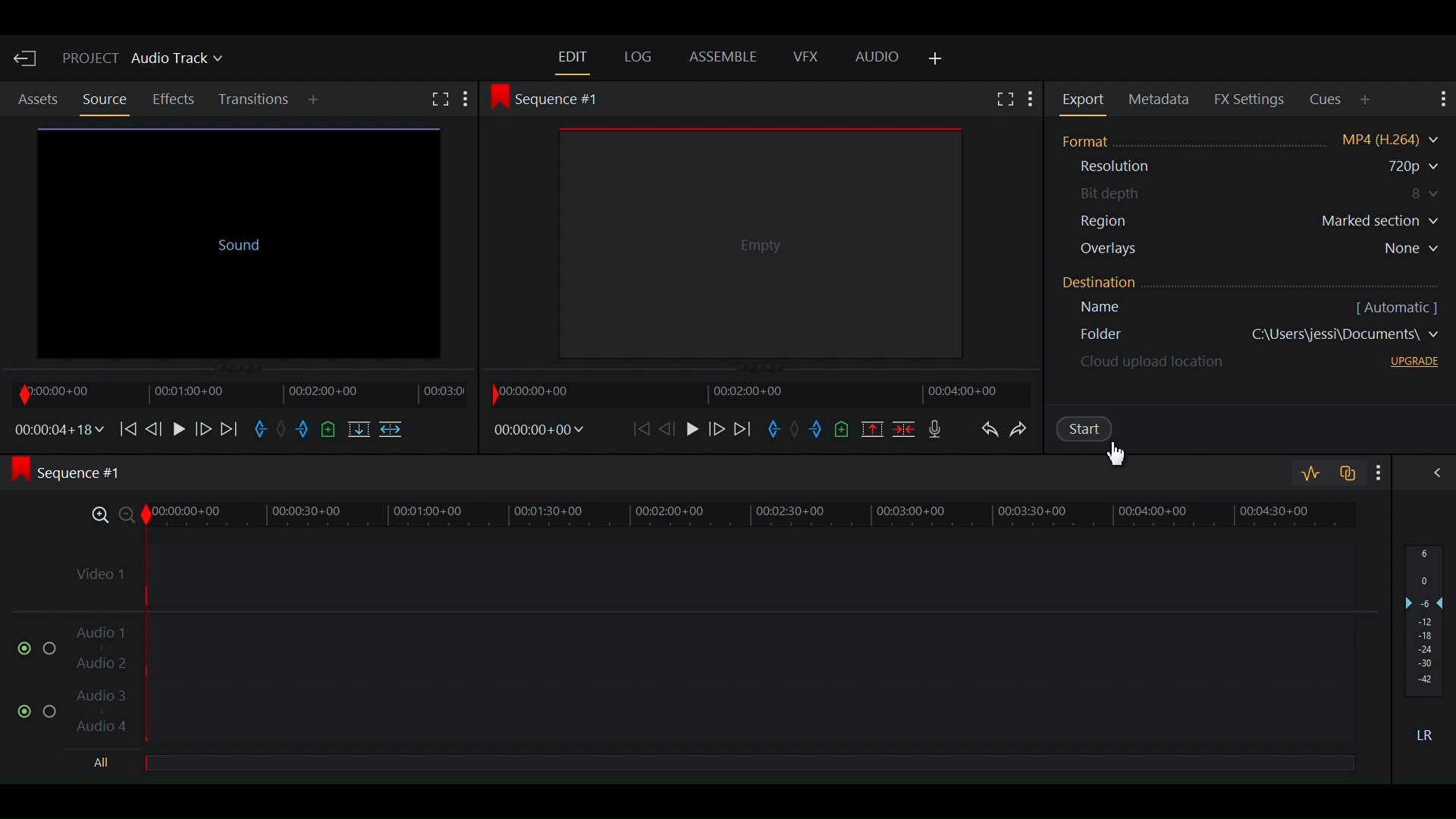 Image resolution: width=1456 pixels, height=819 pixels. What do you see at coordinates (745, 429) in the screenshot?
I see `Move forward` at bounding box center [745, 429].